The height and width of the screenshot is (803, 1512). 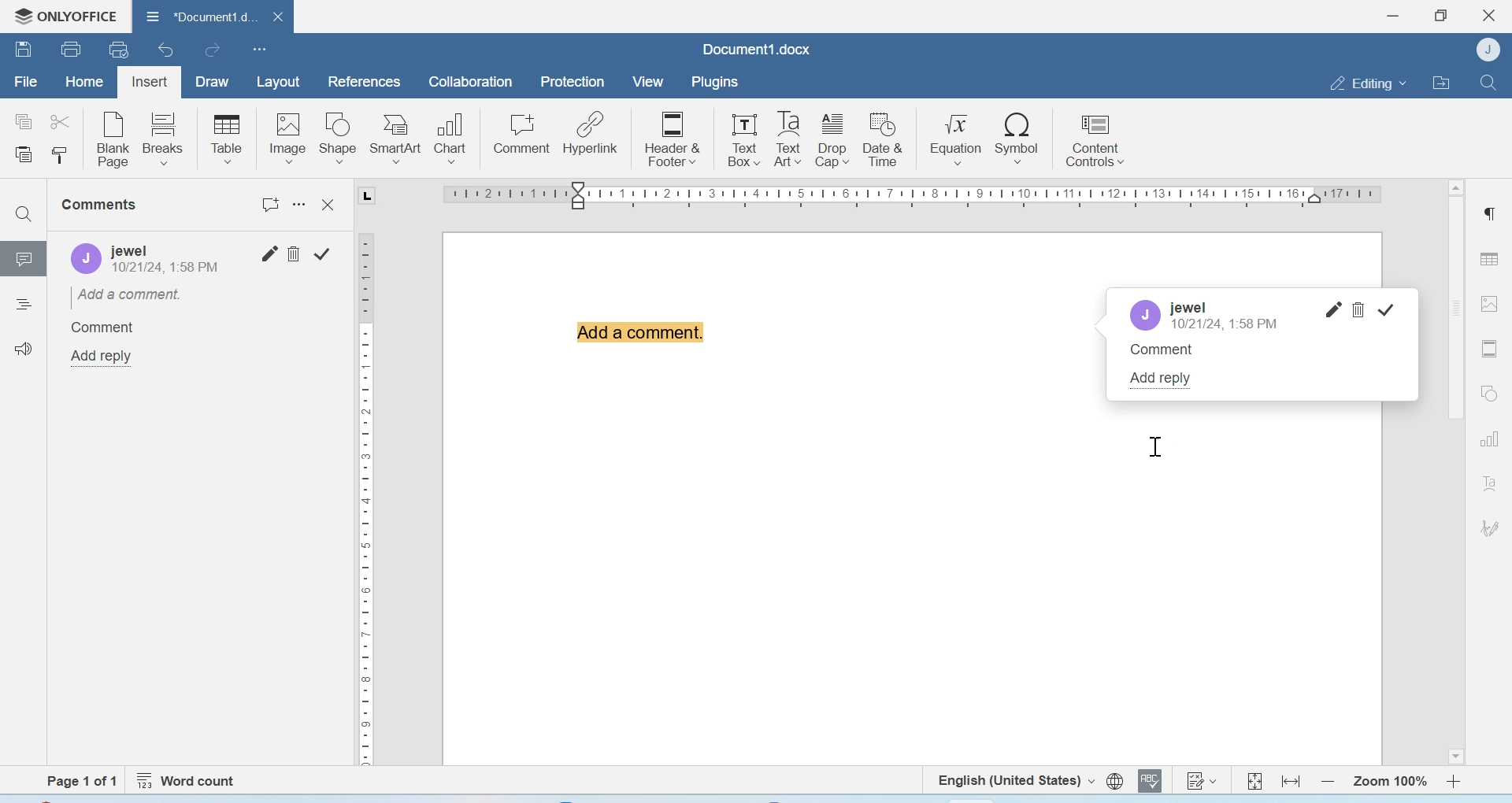 What do you see at coordinates (197, 14) in the screenshot?
I see `Document1.docx` at bounding box center [197, 14].